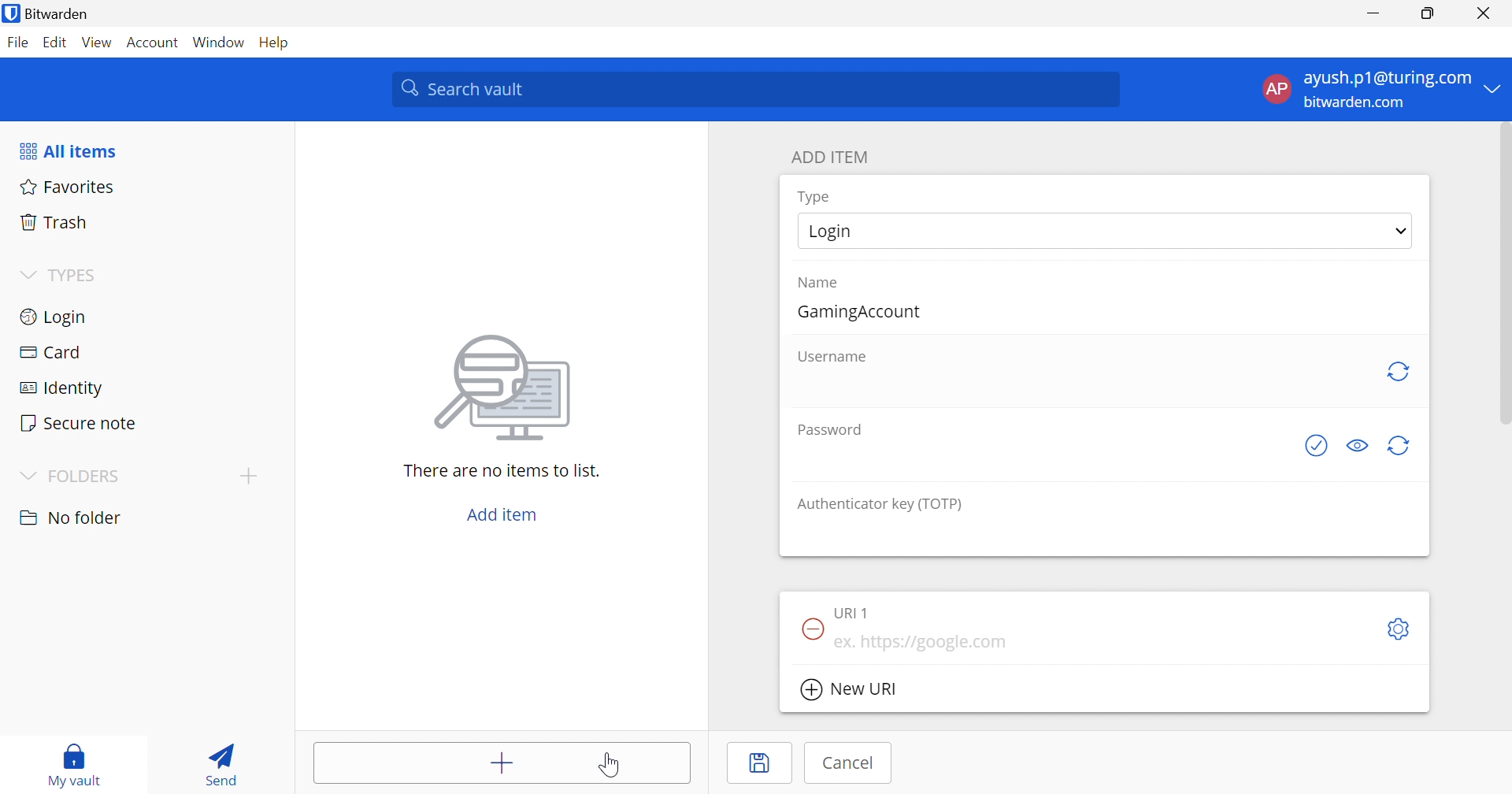 The image size is (1512, 794). Describe the element at coordinates (810, 627) in the screenshot. I see `Remove` at that location.